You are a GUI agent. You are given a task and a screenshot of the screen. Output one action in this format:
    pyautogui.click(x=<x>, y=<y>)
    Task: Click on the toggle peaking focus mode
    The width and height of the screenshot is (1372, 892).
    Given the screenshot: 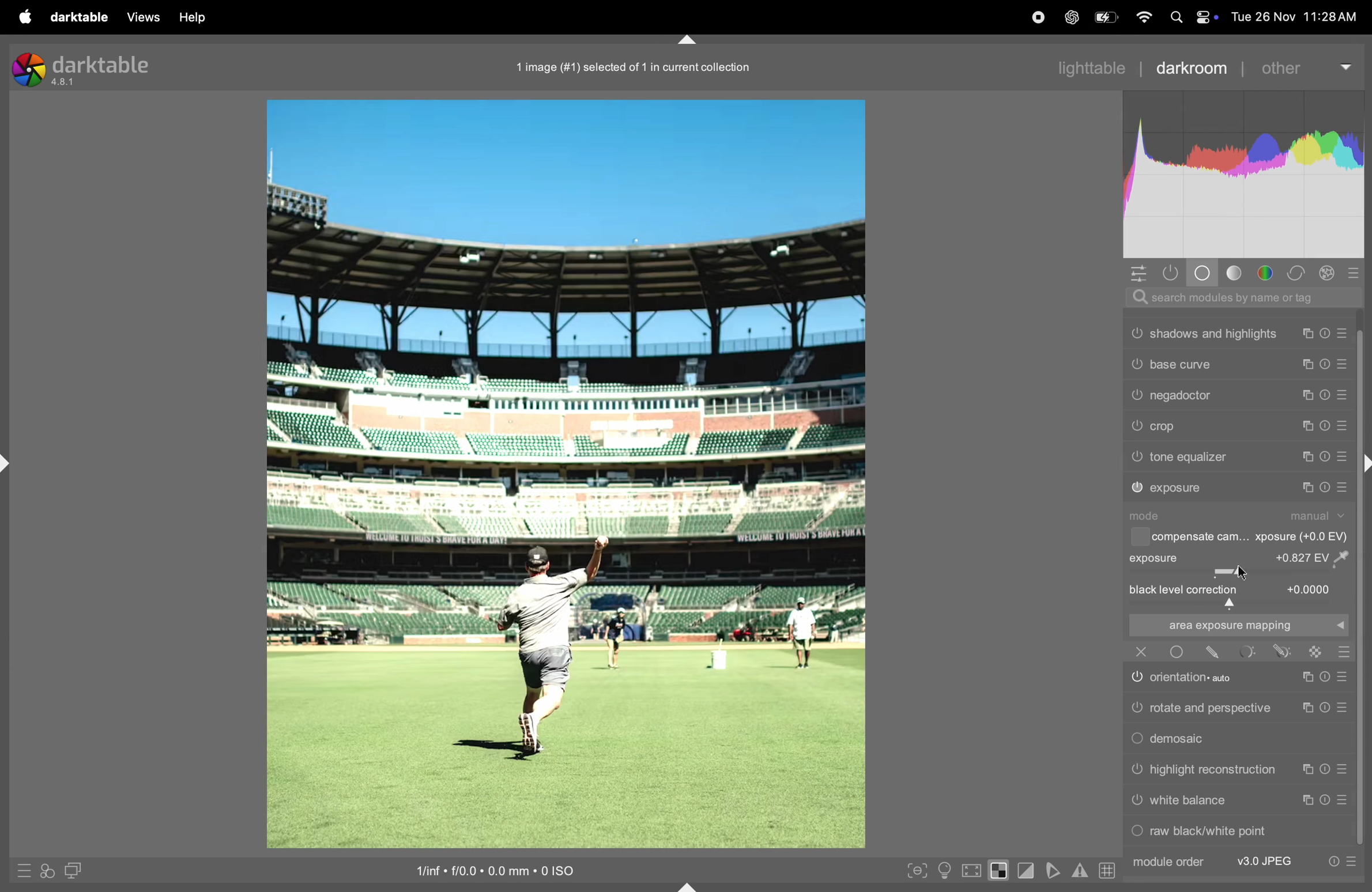 What is the action you would take?
    pyautogui.click(x=914, y=869)
    